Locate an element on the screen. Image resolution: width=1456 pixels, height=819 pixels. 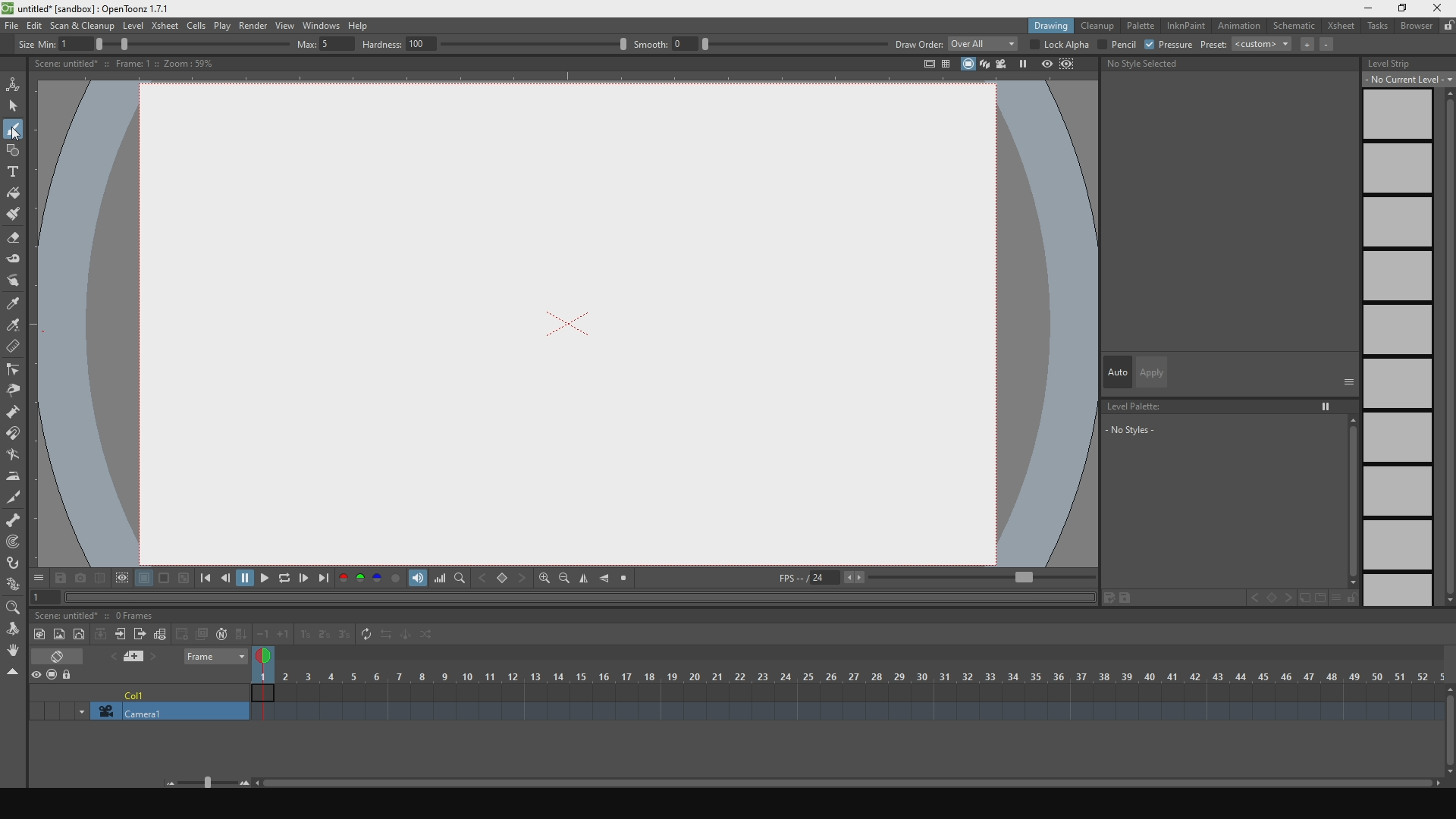
inknpain is located at coordinates (1188, 27).